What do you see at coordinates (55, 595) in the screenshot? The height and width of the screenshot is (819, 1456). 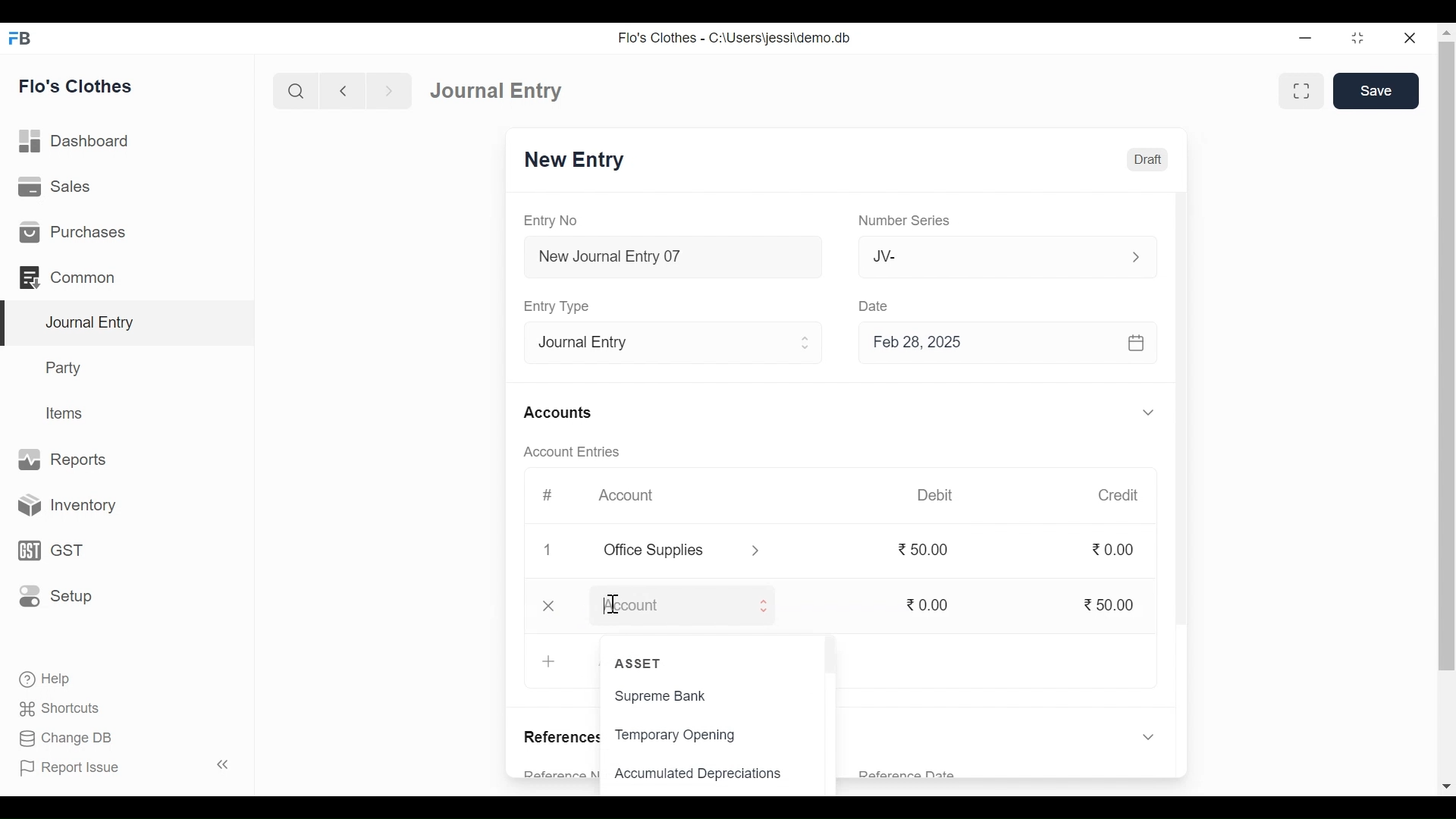 I see `Setup` at bounding box center [55, 595].